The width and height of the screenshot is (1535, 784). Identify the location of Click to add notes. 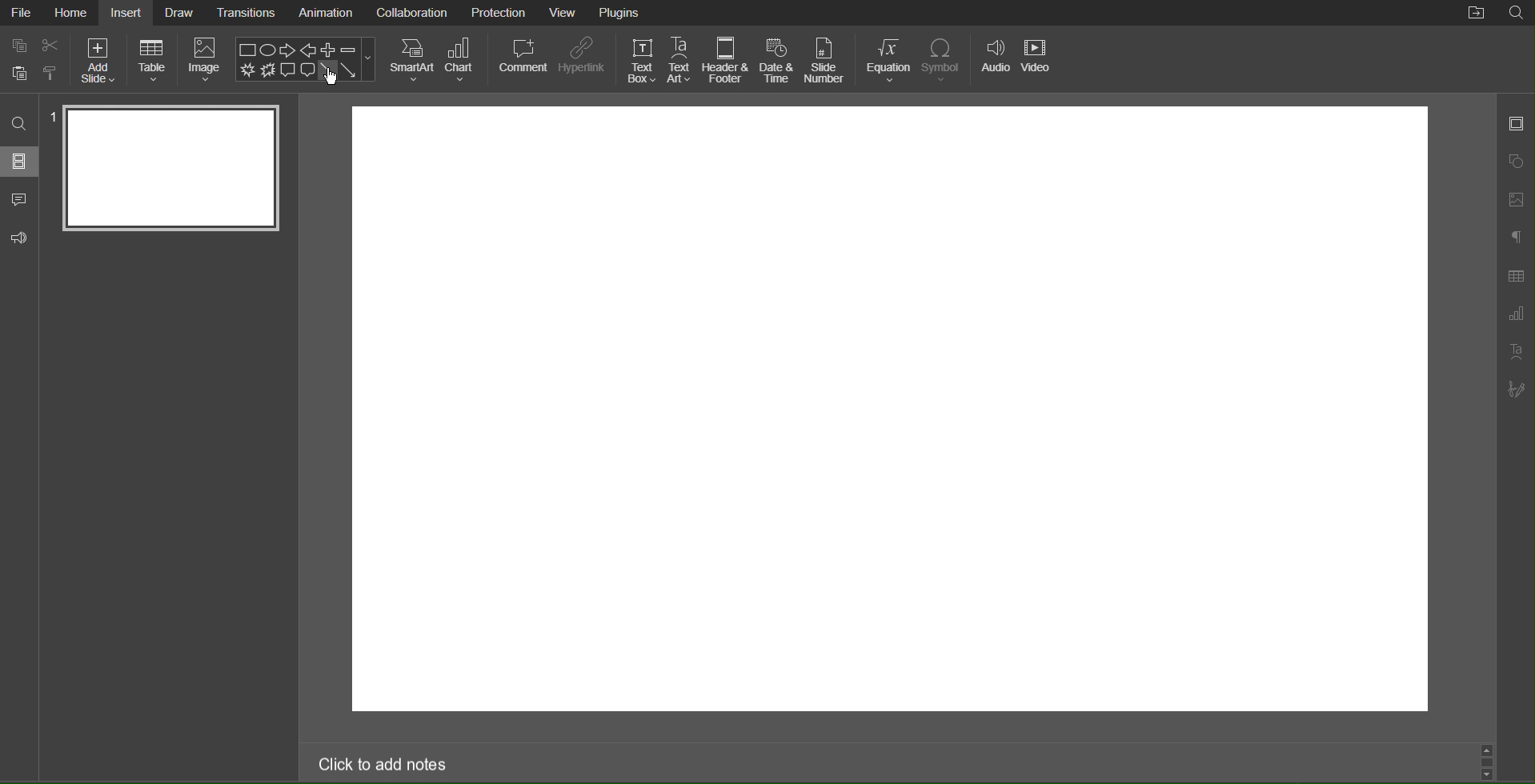
(384, 766).